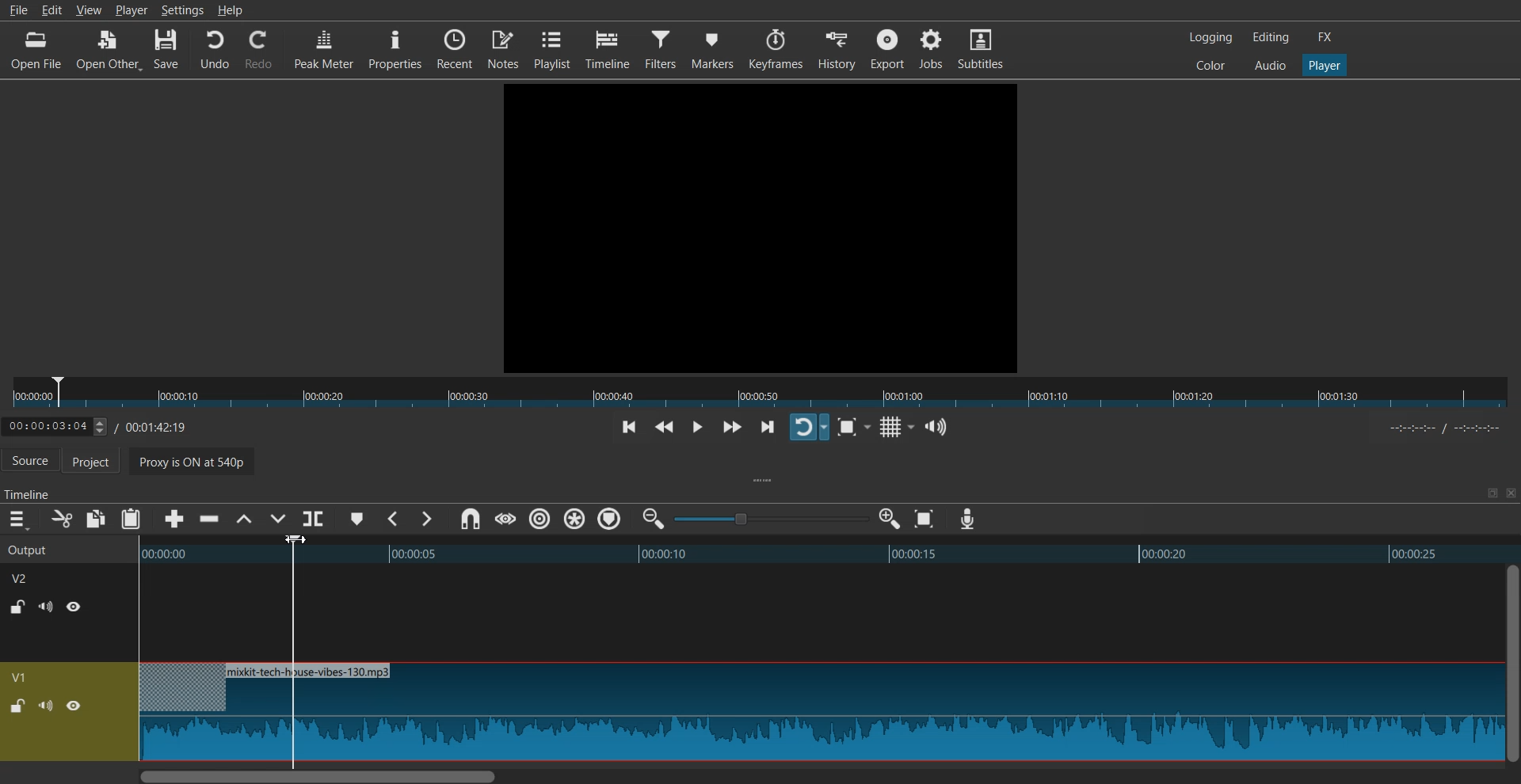 The width and height of the screenshot is (1521, 784). I want to click on Playlist, so click(552, 48).